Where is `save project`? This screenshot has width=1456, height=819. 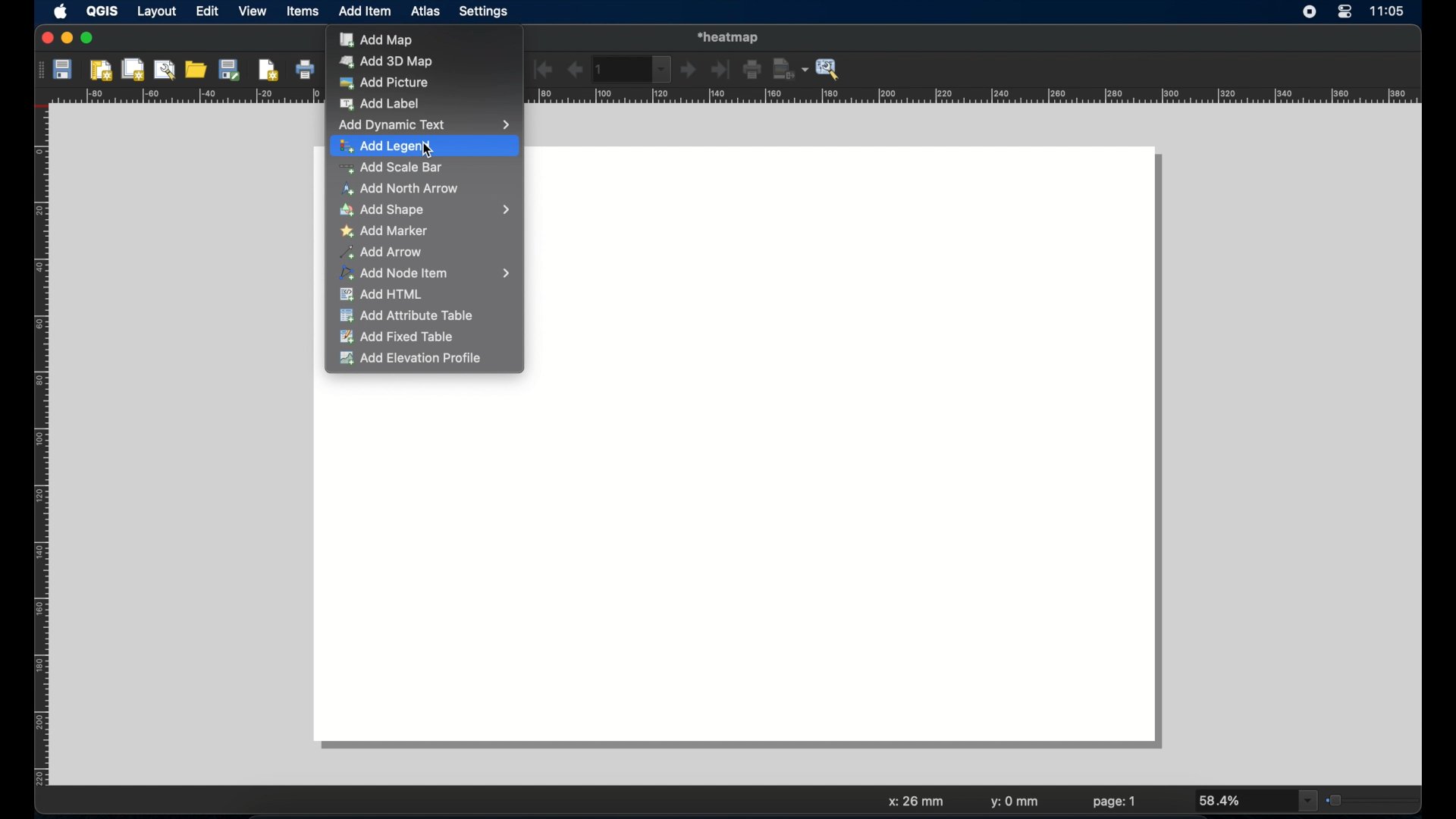 save project is located at coordinates (64, 71).